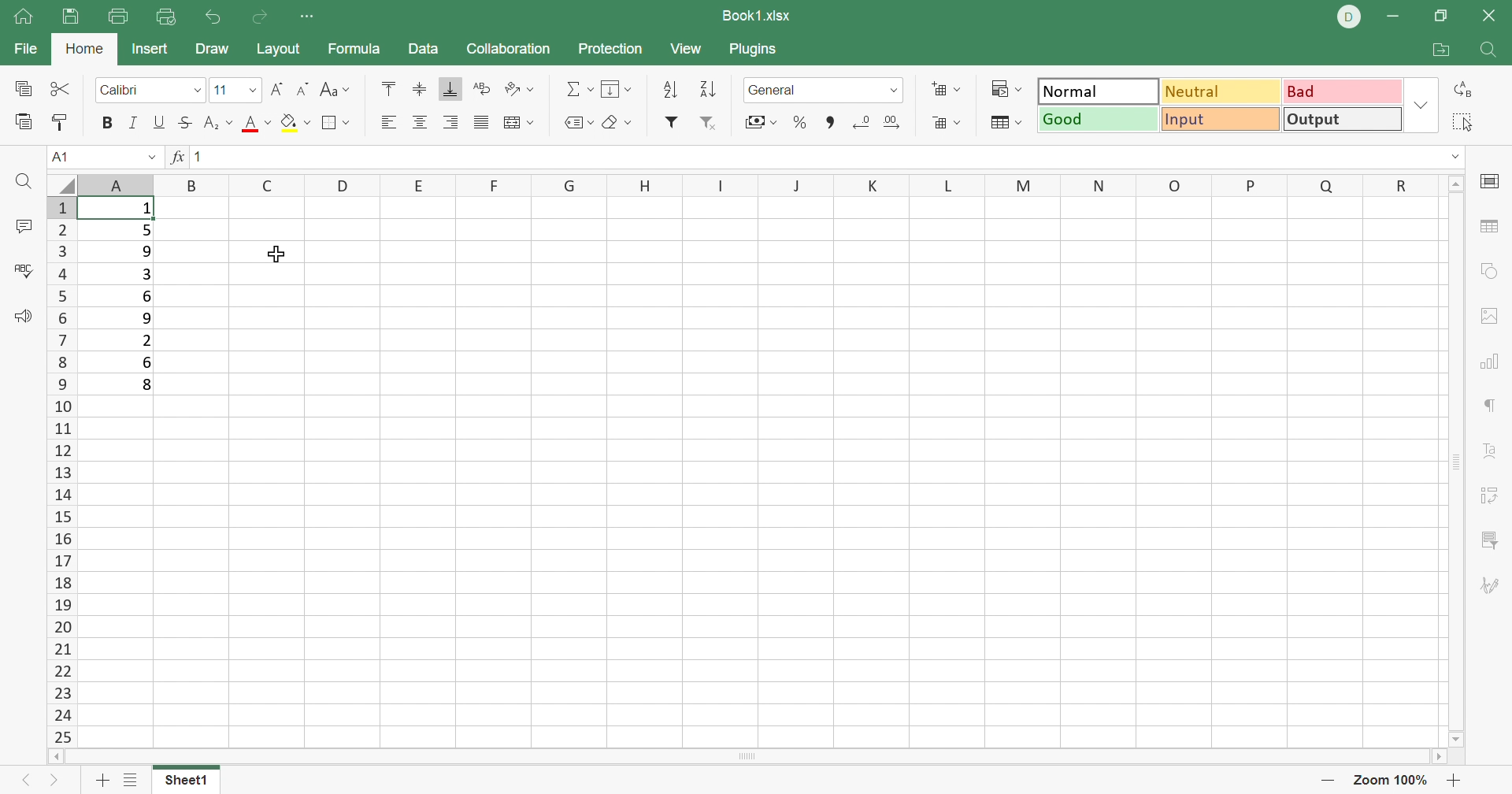 Image resolution: width=1512 pixels, height=794 pixels. Describe the element at coordinates (152, 50) in the screenshot. I see `Insert` at that location.